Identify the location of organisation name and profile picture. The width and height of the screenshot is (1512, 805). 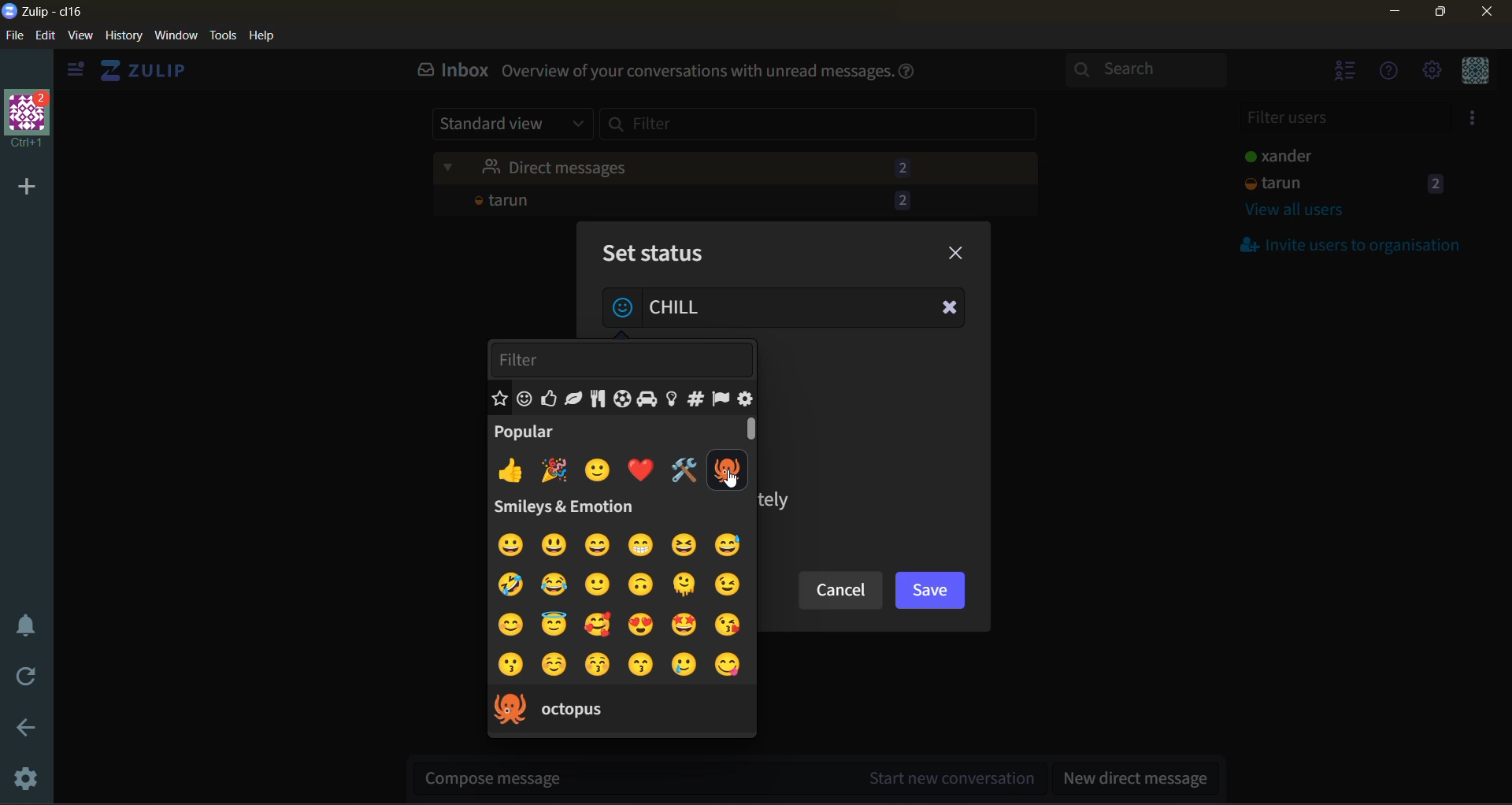
(24, 122).